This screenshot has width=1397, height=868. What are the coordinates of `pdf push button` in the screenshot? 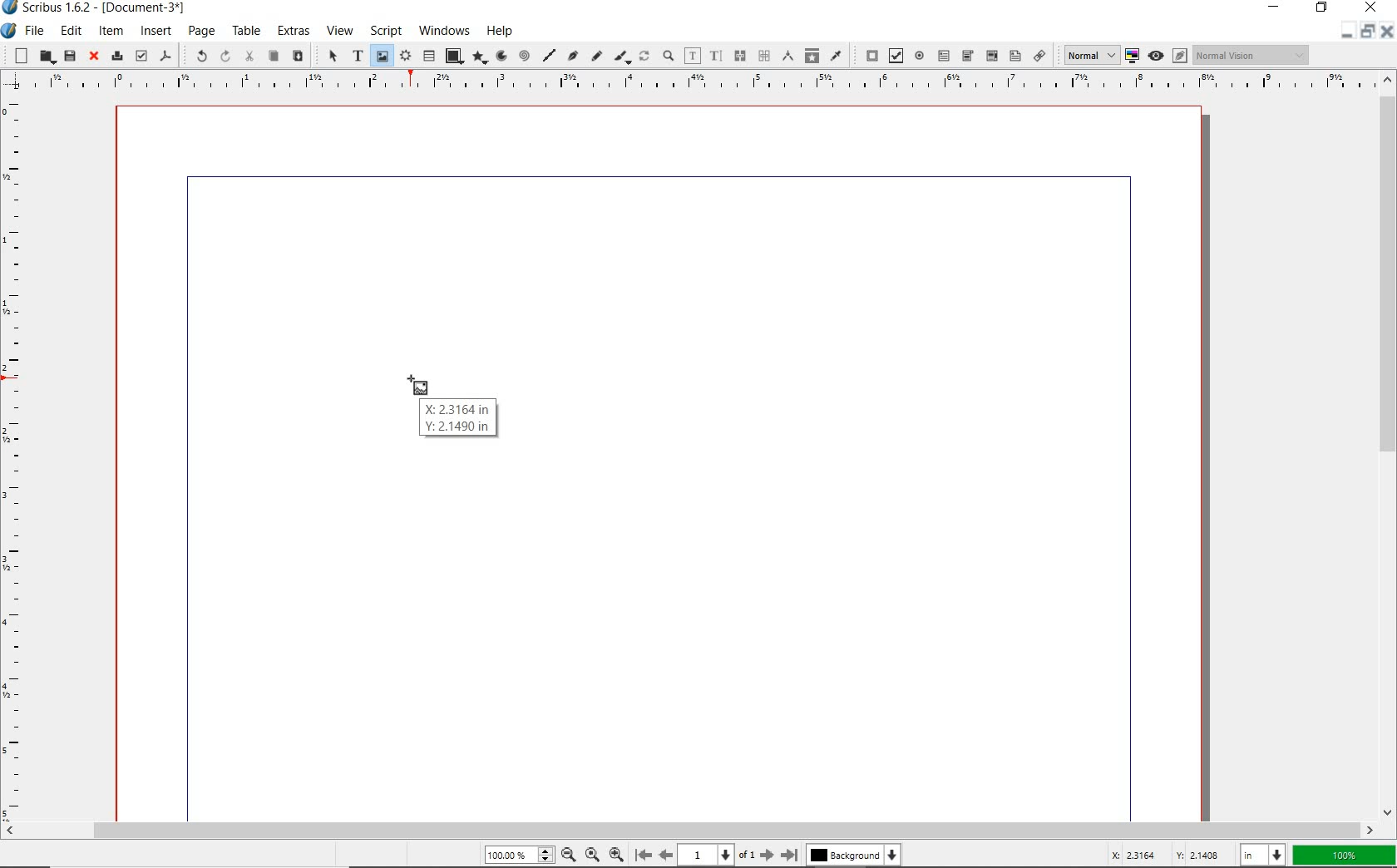 It's located at (867, 55).